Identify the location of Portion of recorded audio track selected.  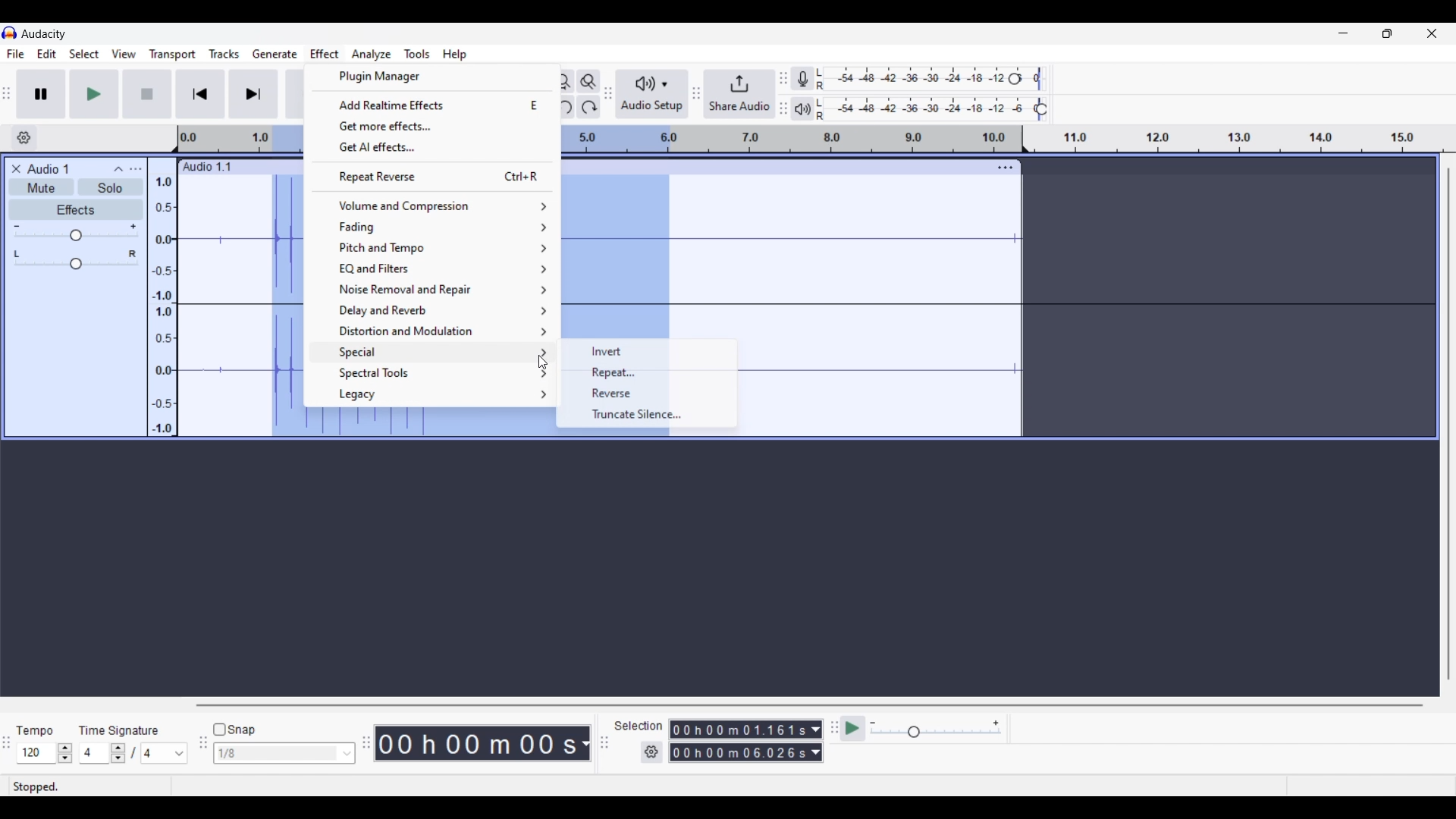
(284, 306).